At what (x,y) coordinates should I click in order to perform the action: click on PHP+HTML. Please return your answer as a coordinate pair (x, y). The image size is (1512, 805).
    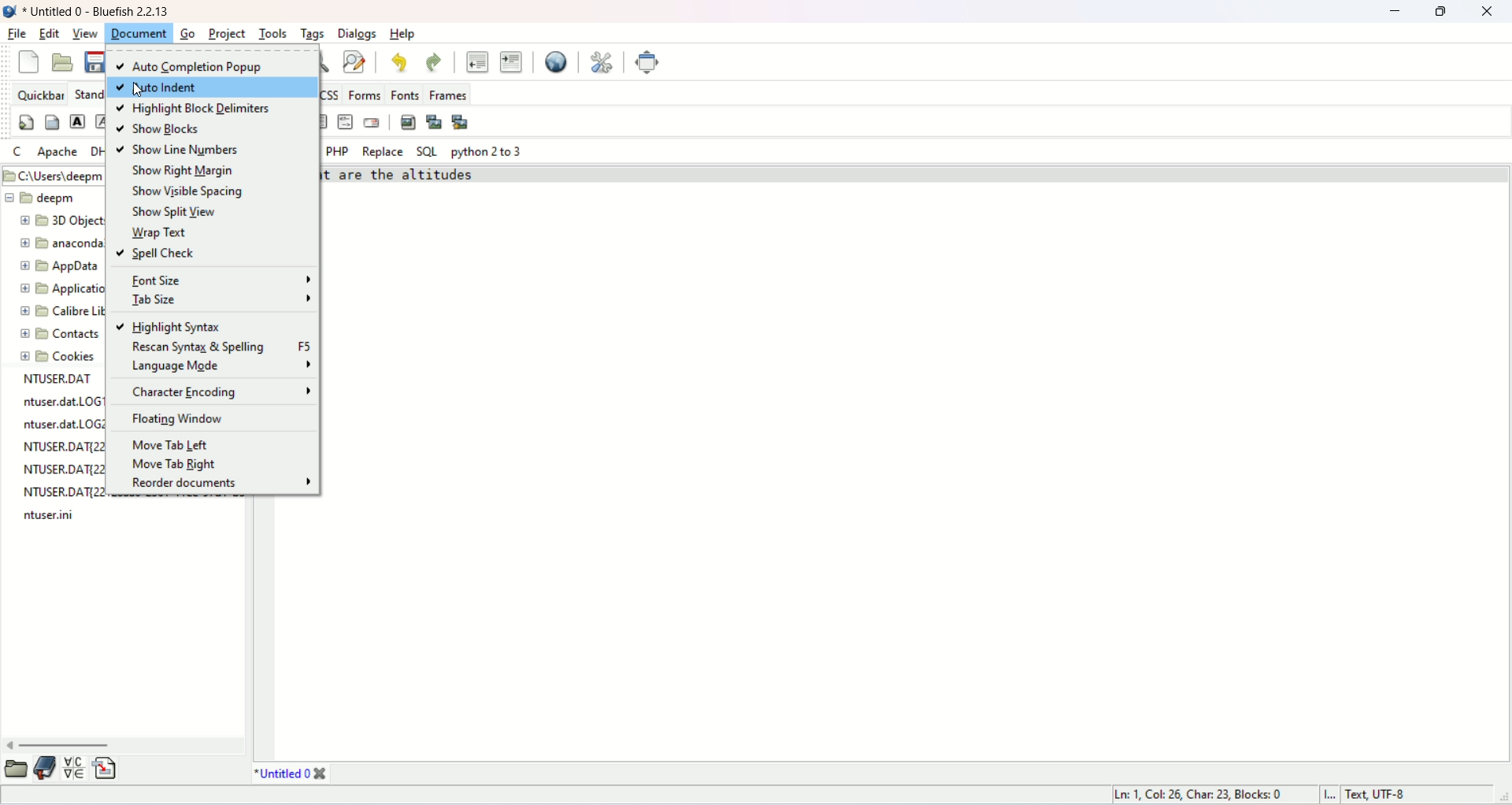
    Looking at the image, I should click on (281, 149).